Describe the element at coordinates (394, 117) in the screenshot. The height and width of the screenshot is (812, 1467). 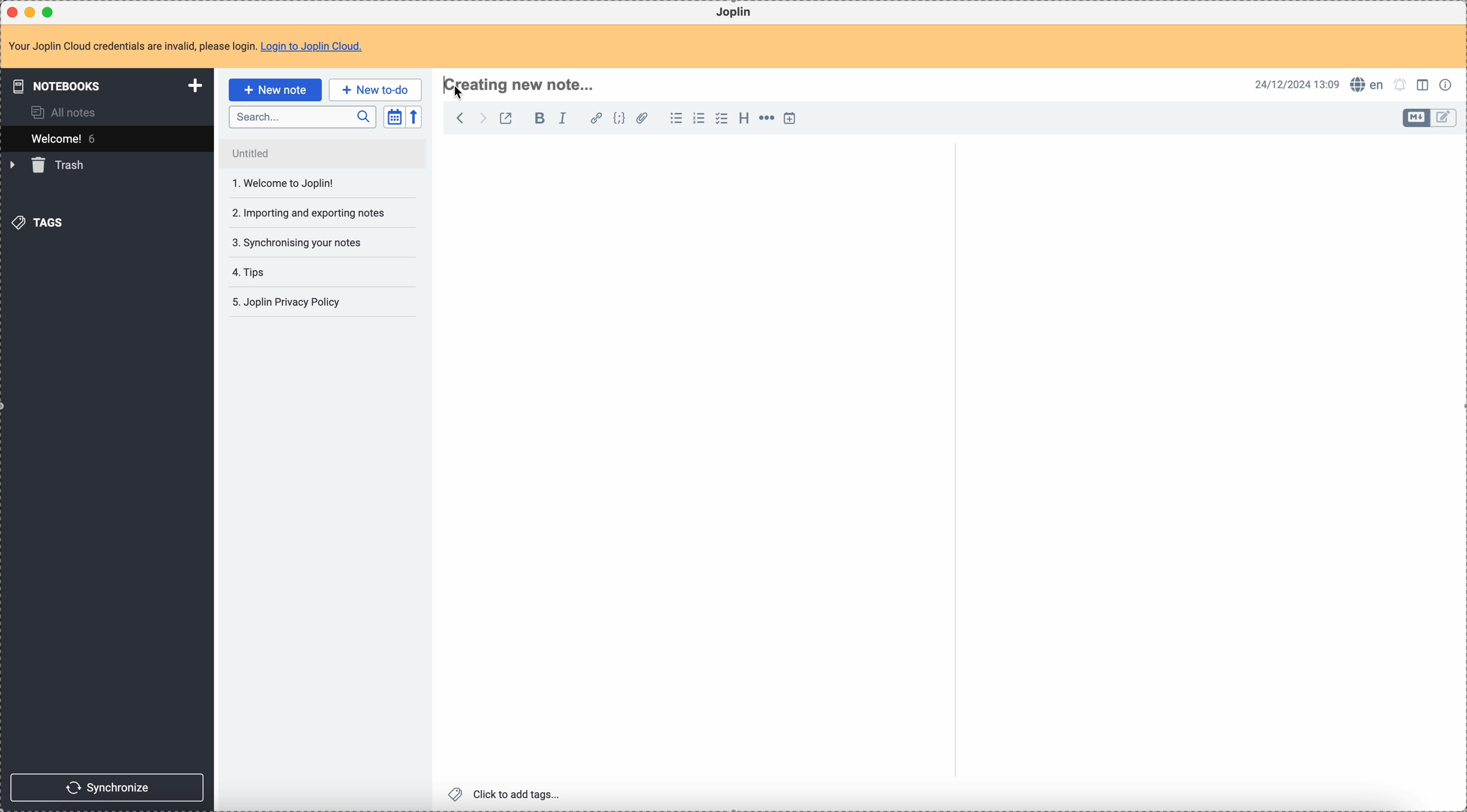
I see `toggle sort order field` at that location.